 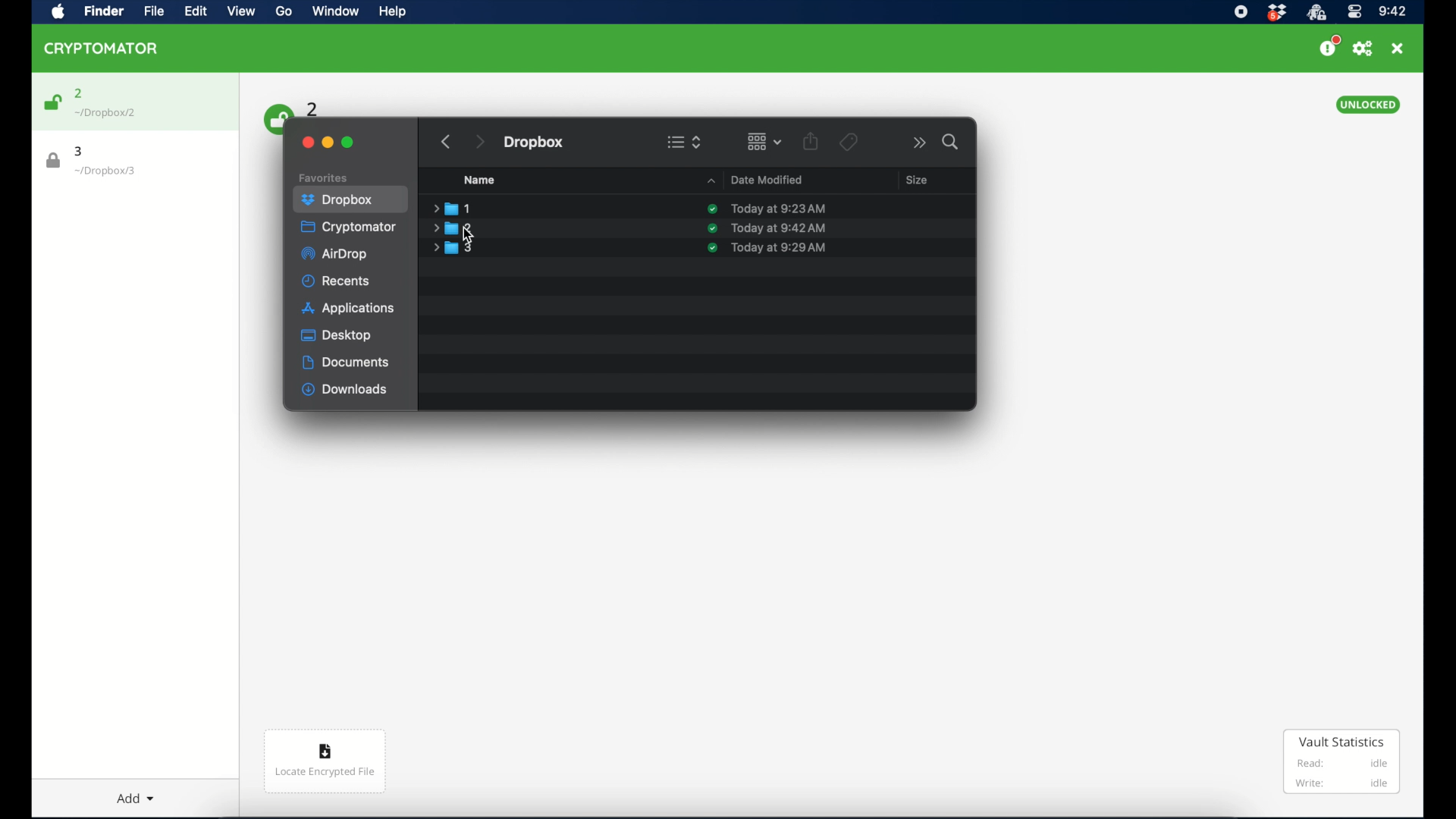 What do you see at coordinates (1240, 12) in the screenshot?
I see `screen recorder icon` at bounding box center [1240, 12].